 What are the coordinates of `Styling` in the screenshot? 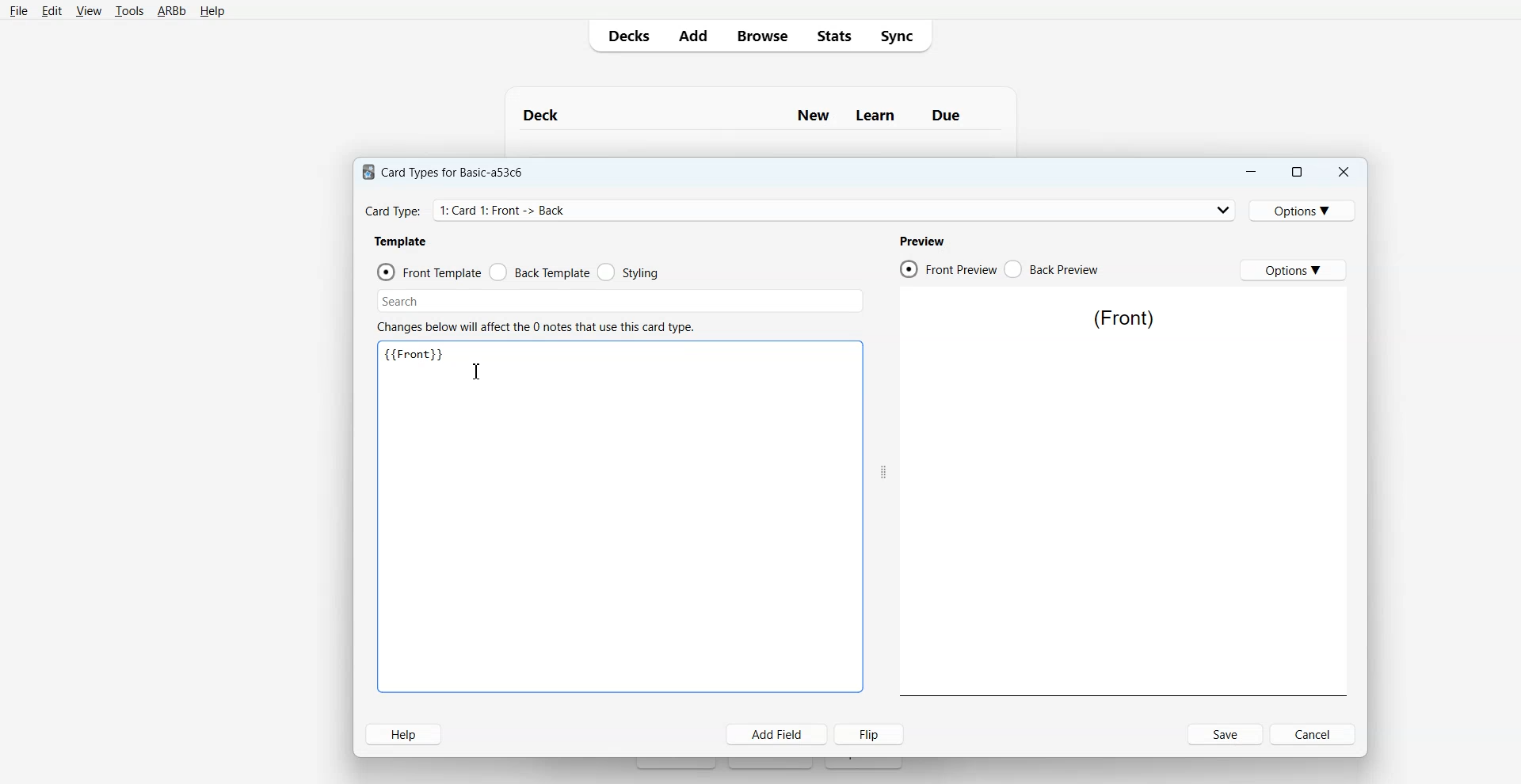 It's located at (630, 272).